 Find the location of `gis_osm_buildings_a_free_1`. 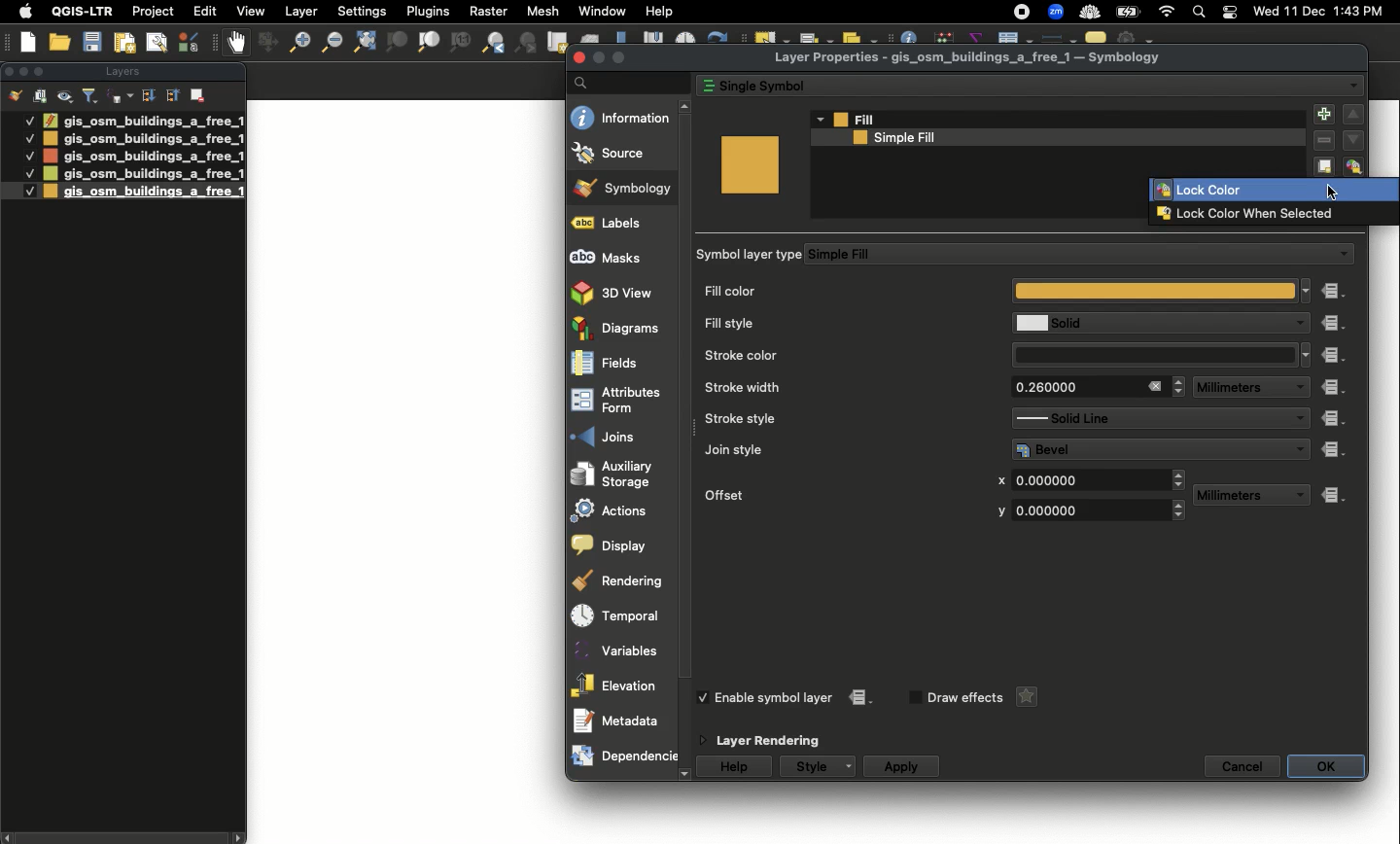

gis_osm_buildings_a_free_1 is located at coordinates (143, 156).